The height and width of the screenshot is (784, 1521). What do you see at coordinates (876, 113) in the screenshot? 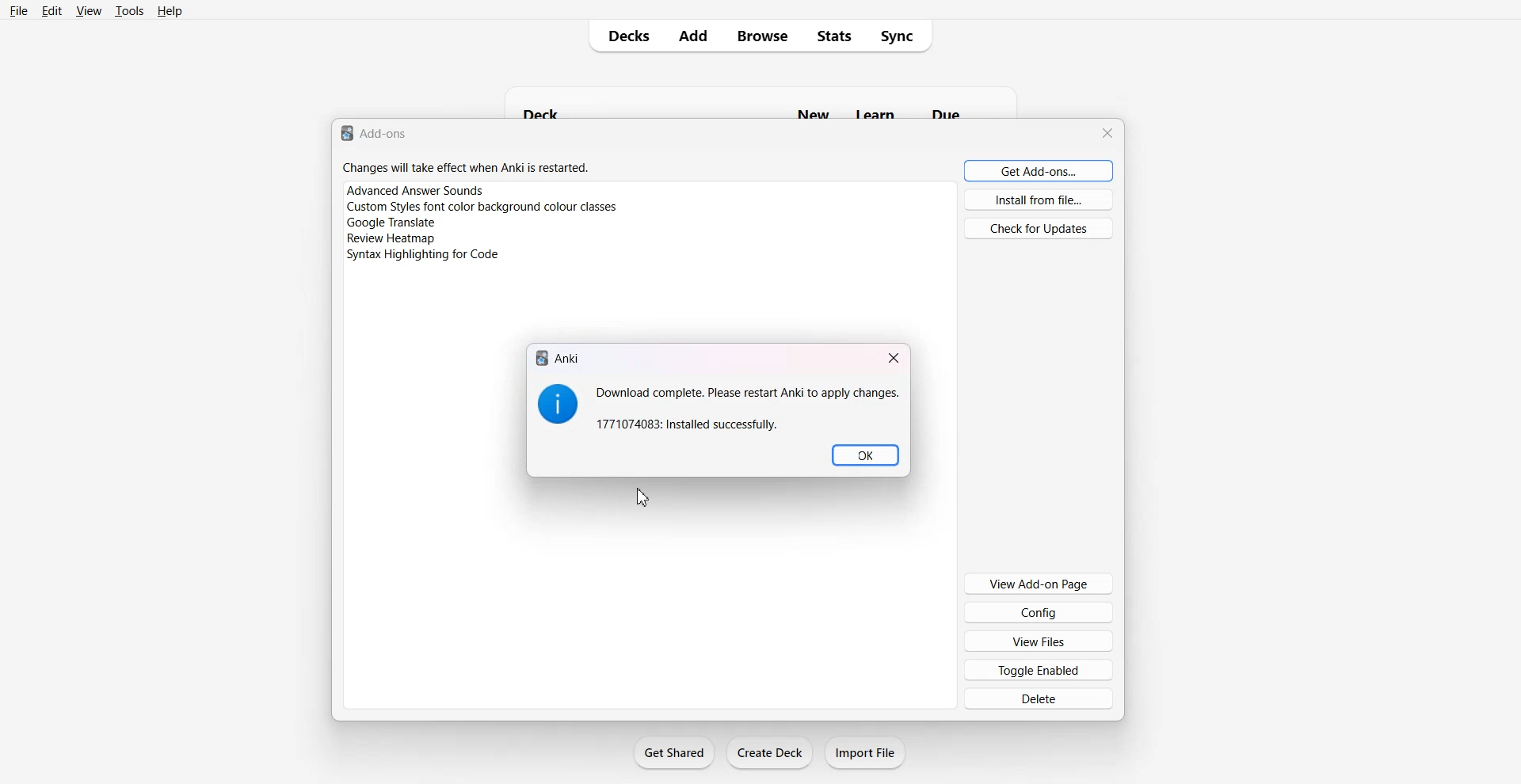
I see `learn` at bounding box center [876, 113].